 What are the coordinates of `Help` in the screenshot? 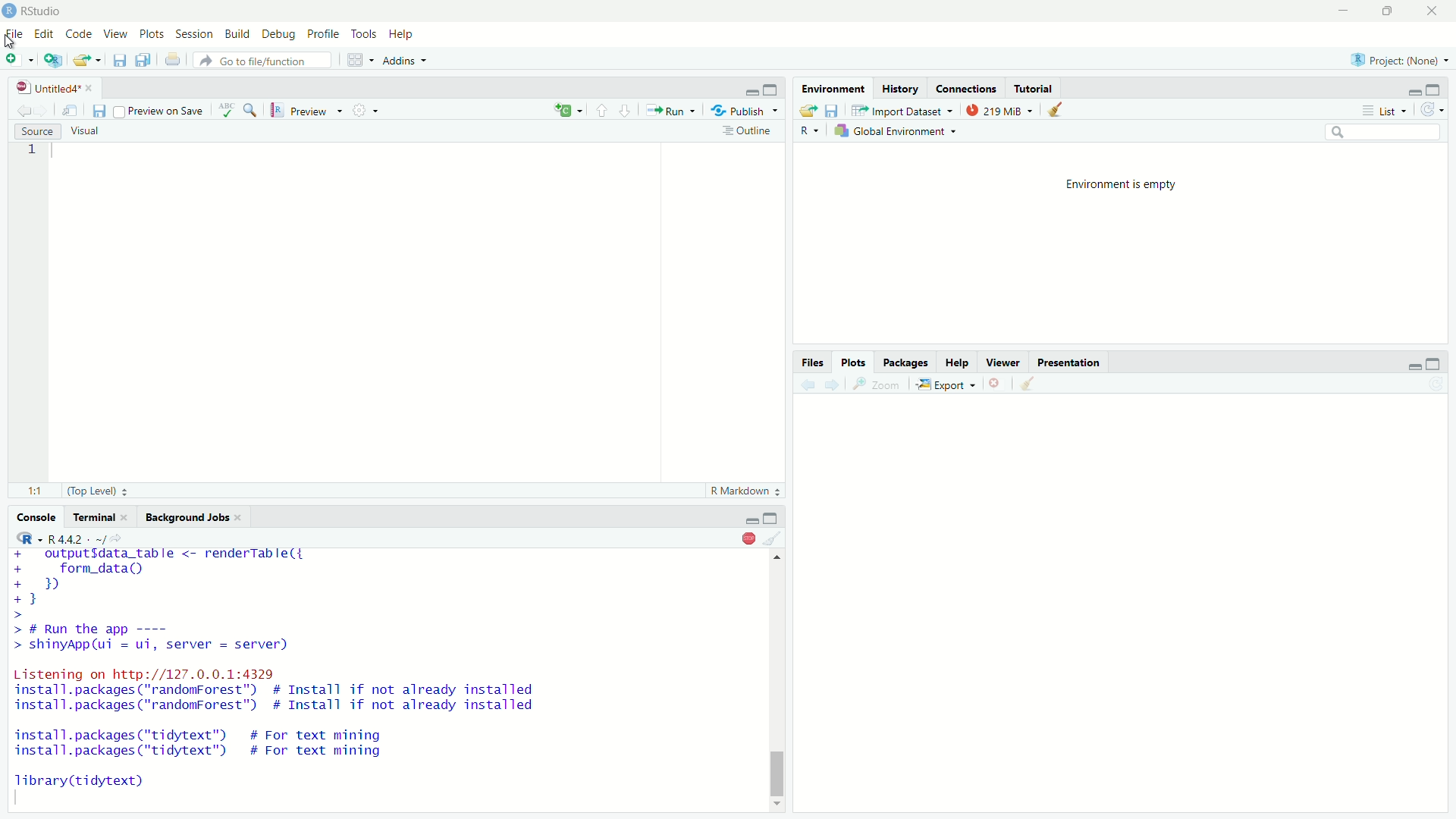 It's located at (401, 34).